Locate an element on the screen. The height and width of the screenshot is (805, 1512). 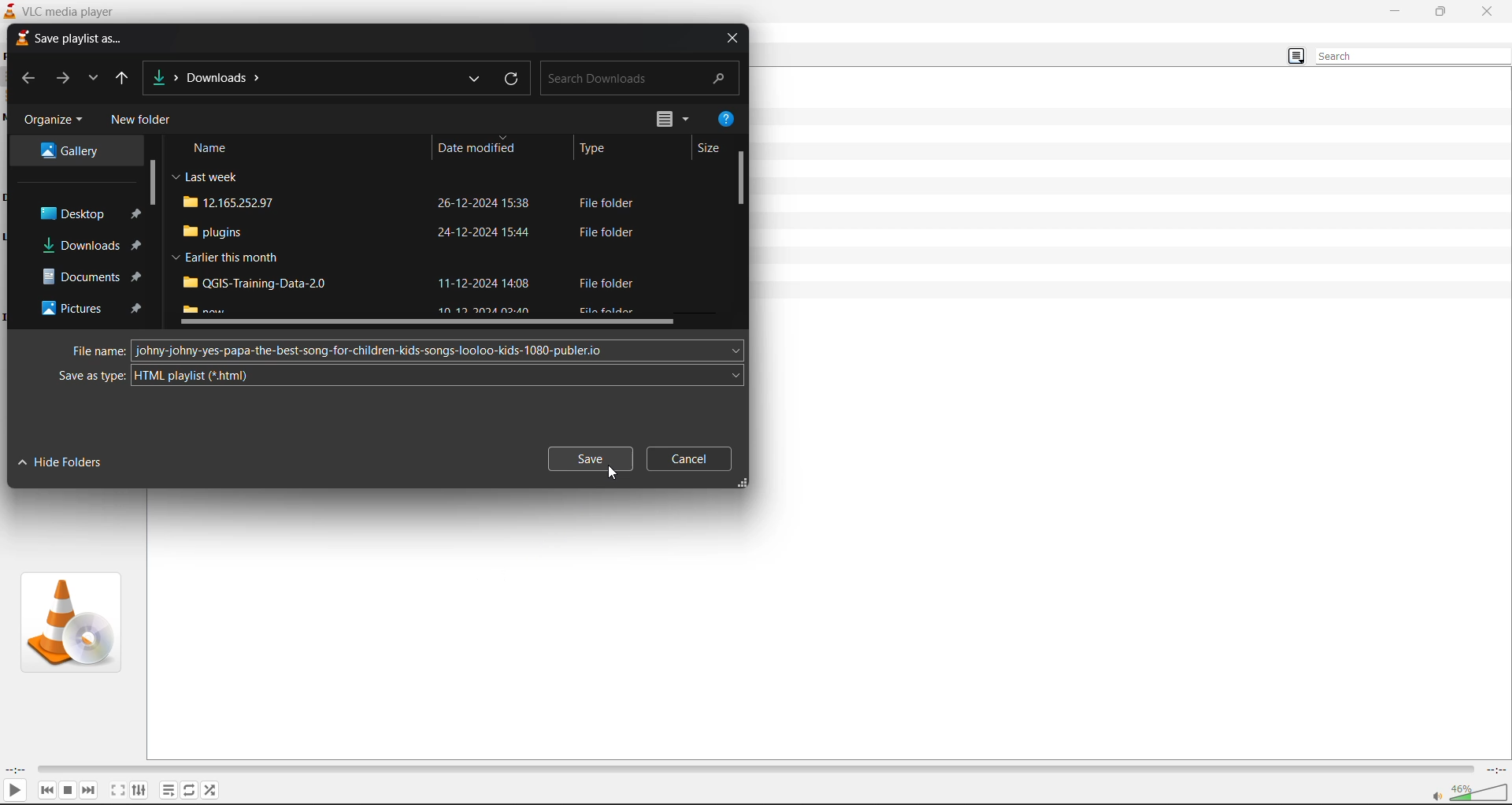
size is located at coordinates (710, 150).